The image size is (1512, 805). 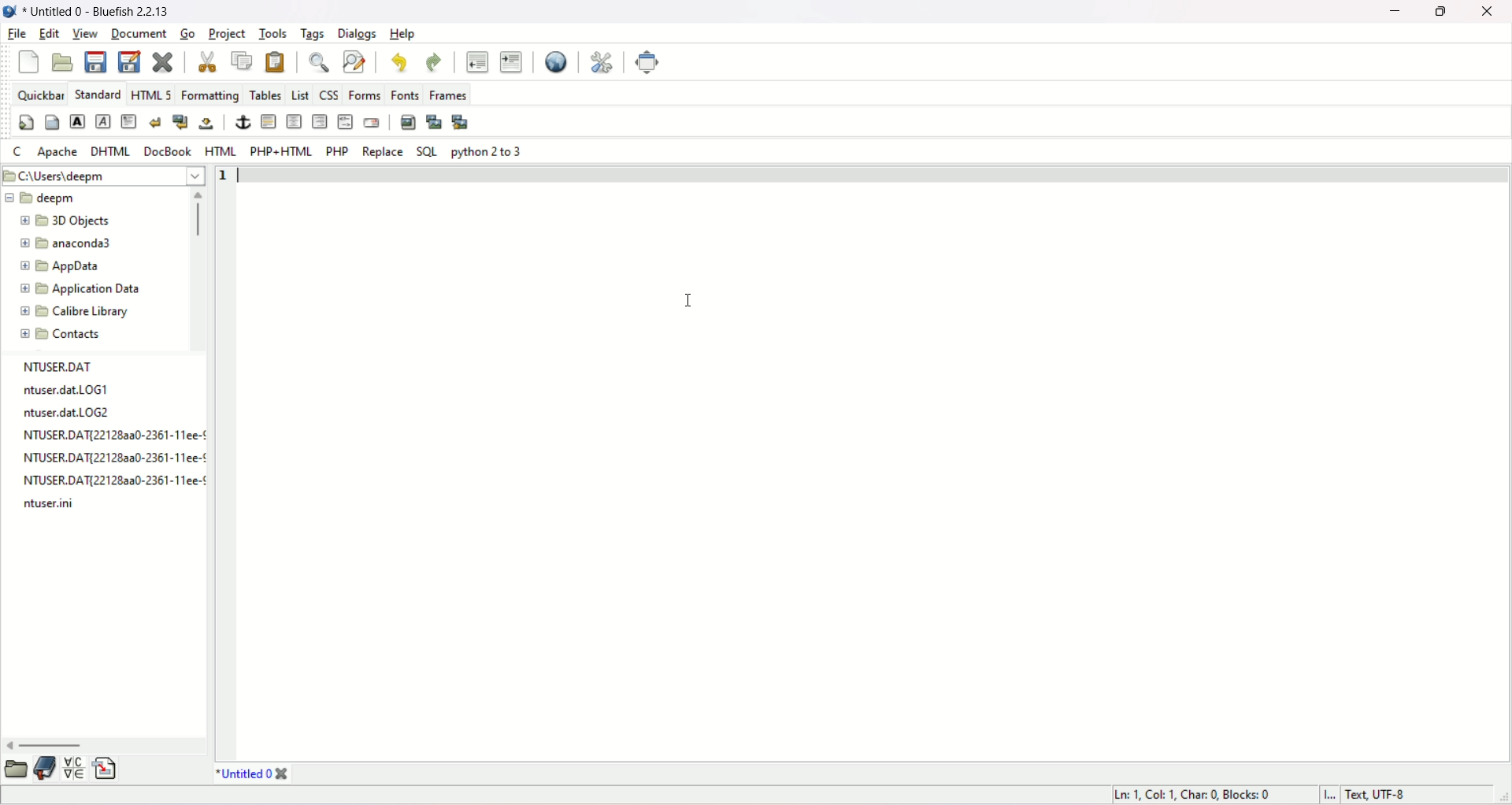 What do you see at coordinates (295, 121) in the screenshot?
I see `center` at bounding box center [295, 121].